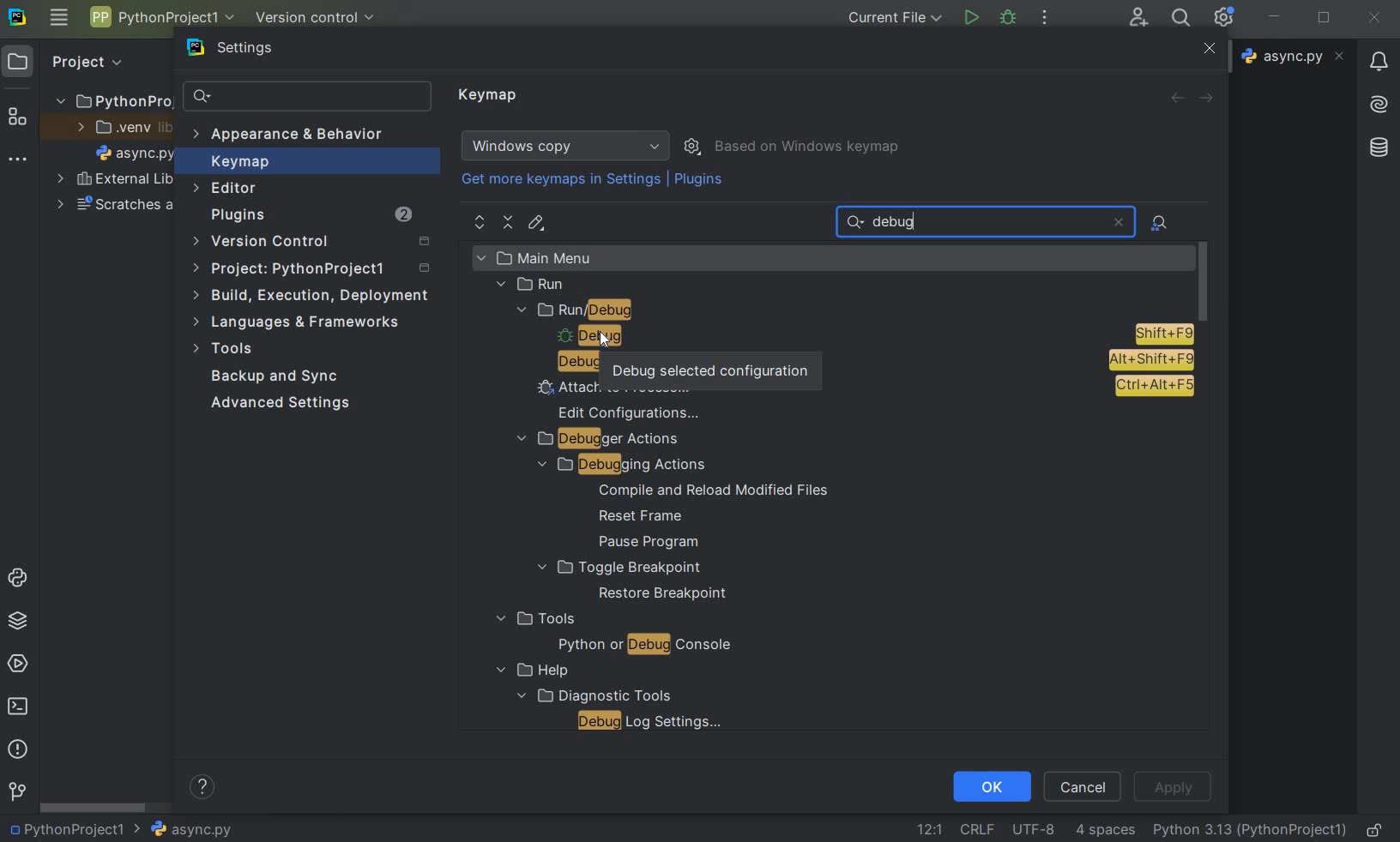 The width and height of the screenshot is (1400, 842). What do you see at coordinates (1118, 222) in the screenshot?
I see `close` at bounding box center [1118, 222].